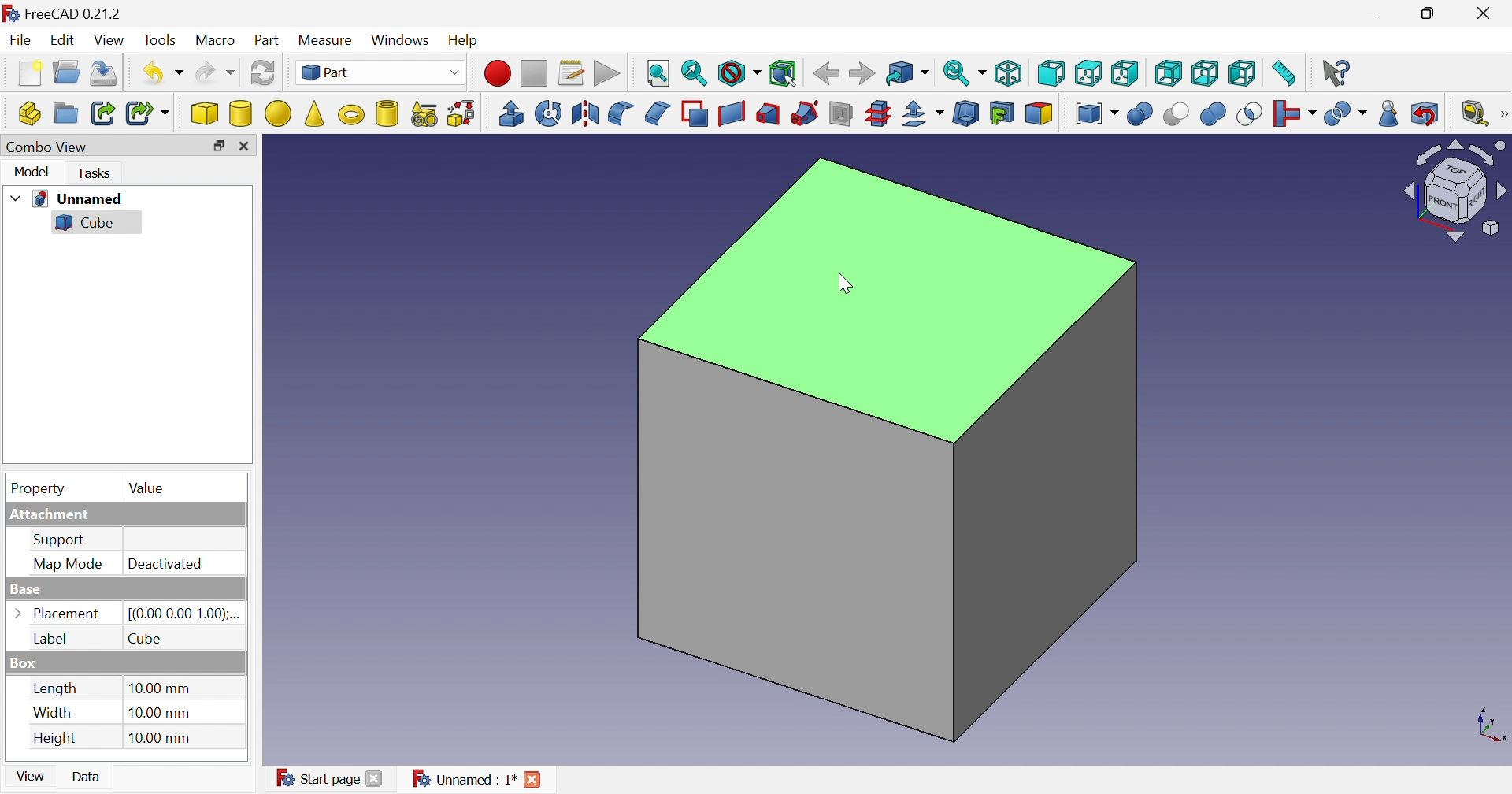 The image size is (1512, 794). I want to click on Sphere, so click(279, 113).